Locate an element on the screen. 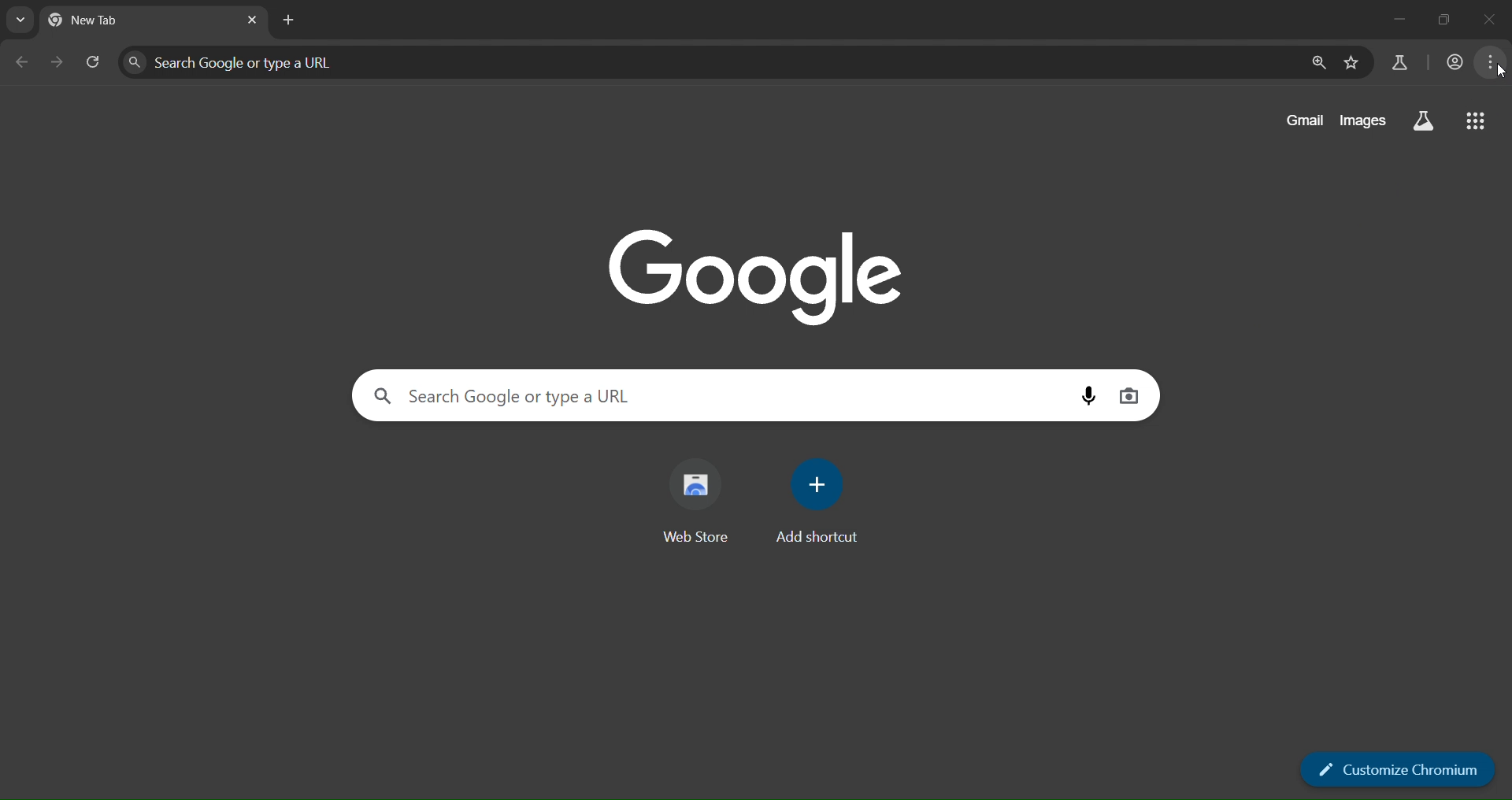 The image size is (1512, 800). go back page is located at coordinates (25, 61).